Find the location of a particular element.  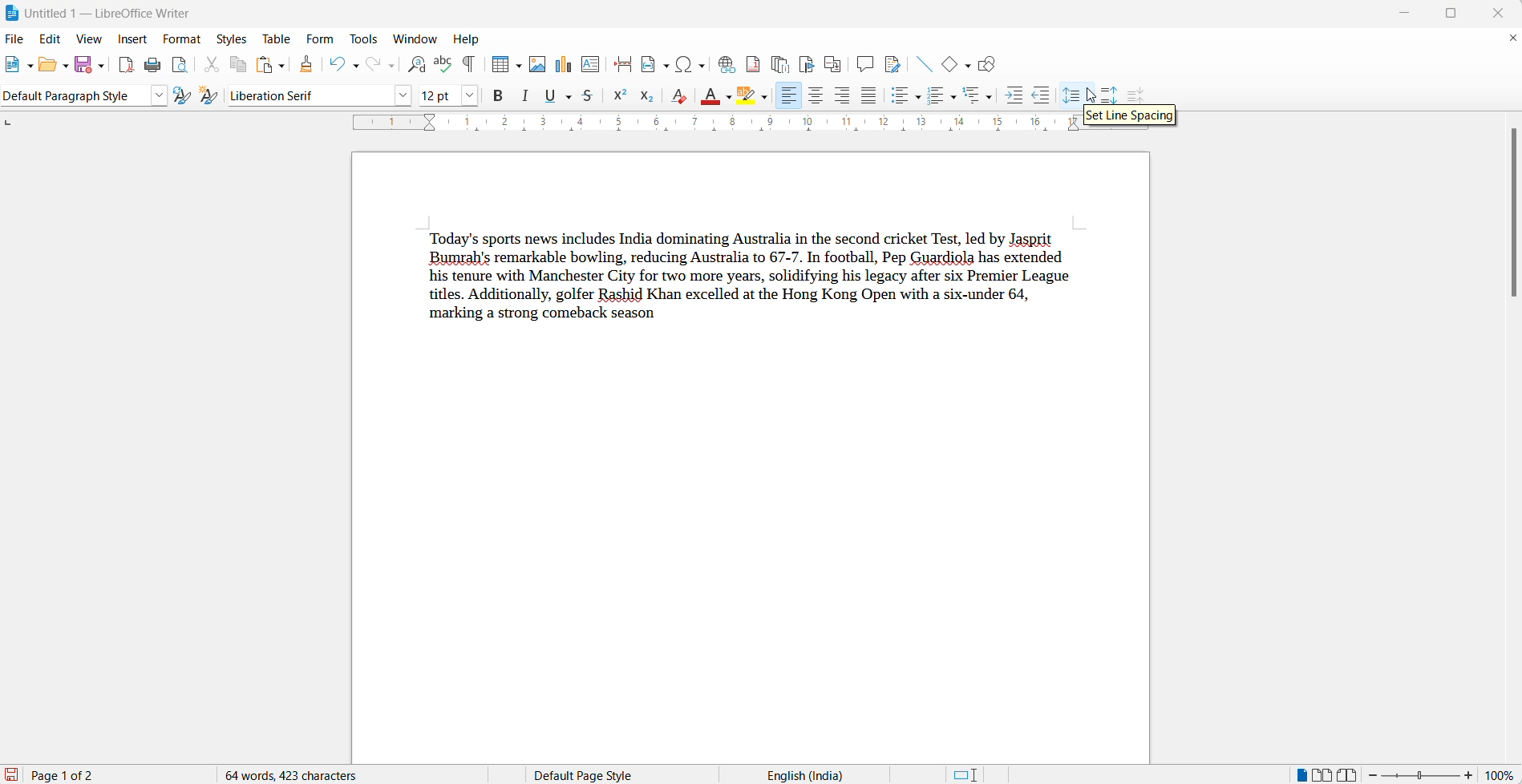

show draw functions is located at coordinates (993, 65).